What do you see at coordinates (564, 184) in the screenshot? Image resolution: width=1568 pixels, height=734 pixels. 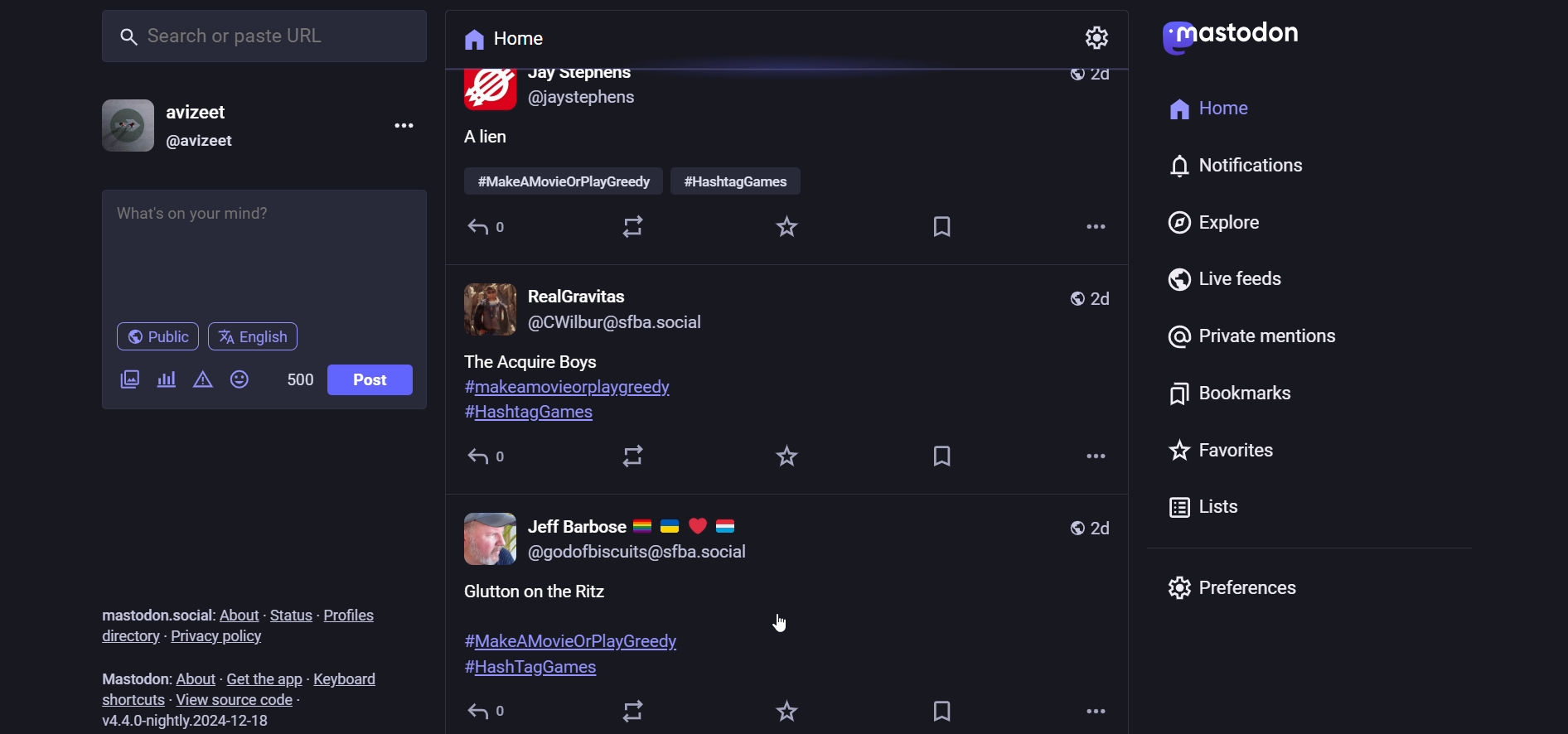 I see `hashtag` at bounding box center [564, 184].